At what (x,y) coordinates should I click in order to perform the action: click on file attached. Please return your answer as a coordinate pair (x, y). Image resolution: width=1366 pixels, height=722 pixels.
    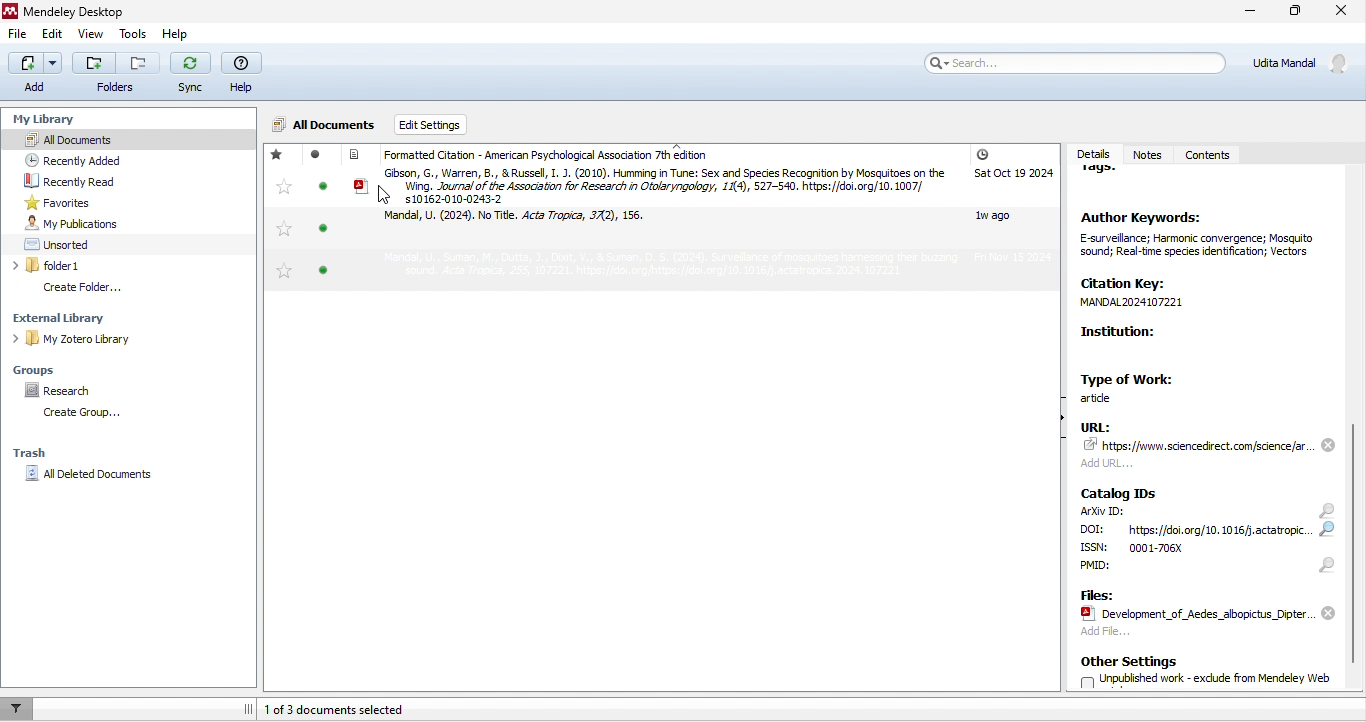
    Looking at the image, I should click on (1208, 614).